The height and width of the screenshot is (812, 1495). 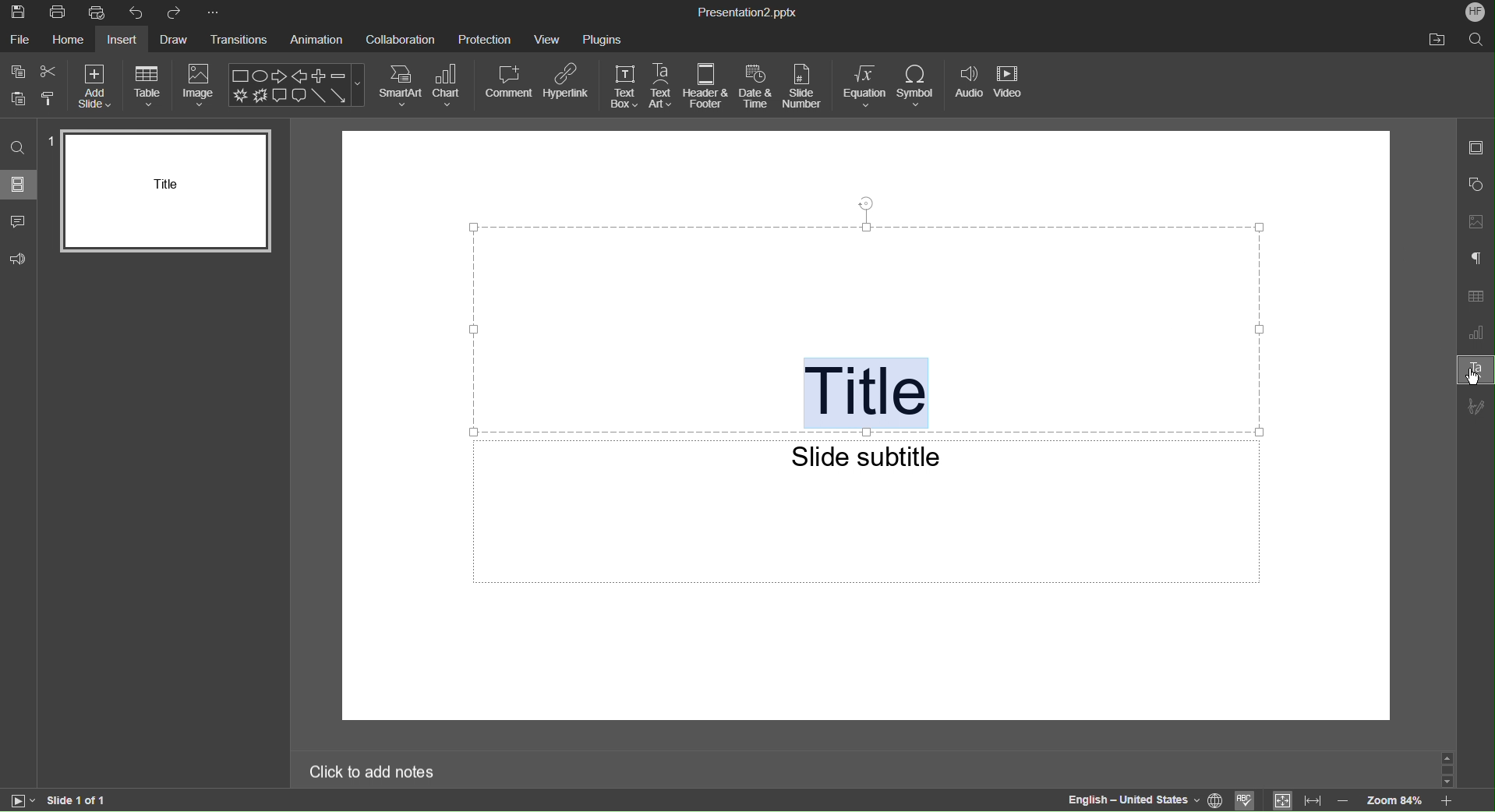 What do you see at coordinates (1435, 41) in the screenshot?
I see `Open File Location` at bounding box center [1435, 41].